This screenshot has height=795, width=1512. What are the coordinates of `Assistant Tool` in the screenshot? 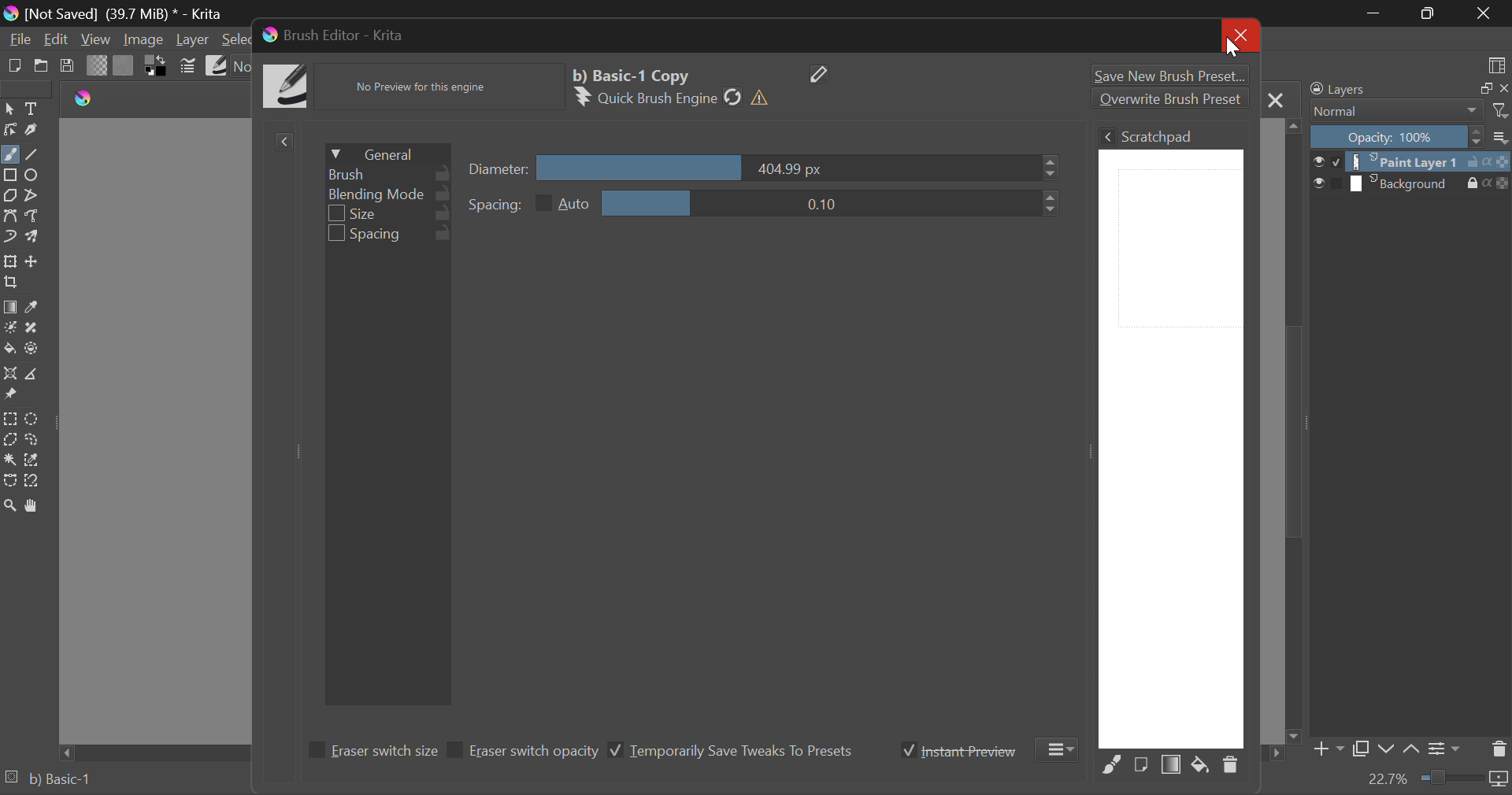 It's located at (11, 374).